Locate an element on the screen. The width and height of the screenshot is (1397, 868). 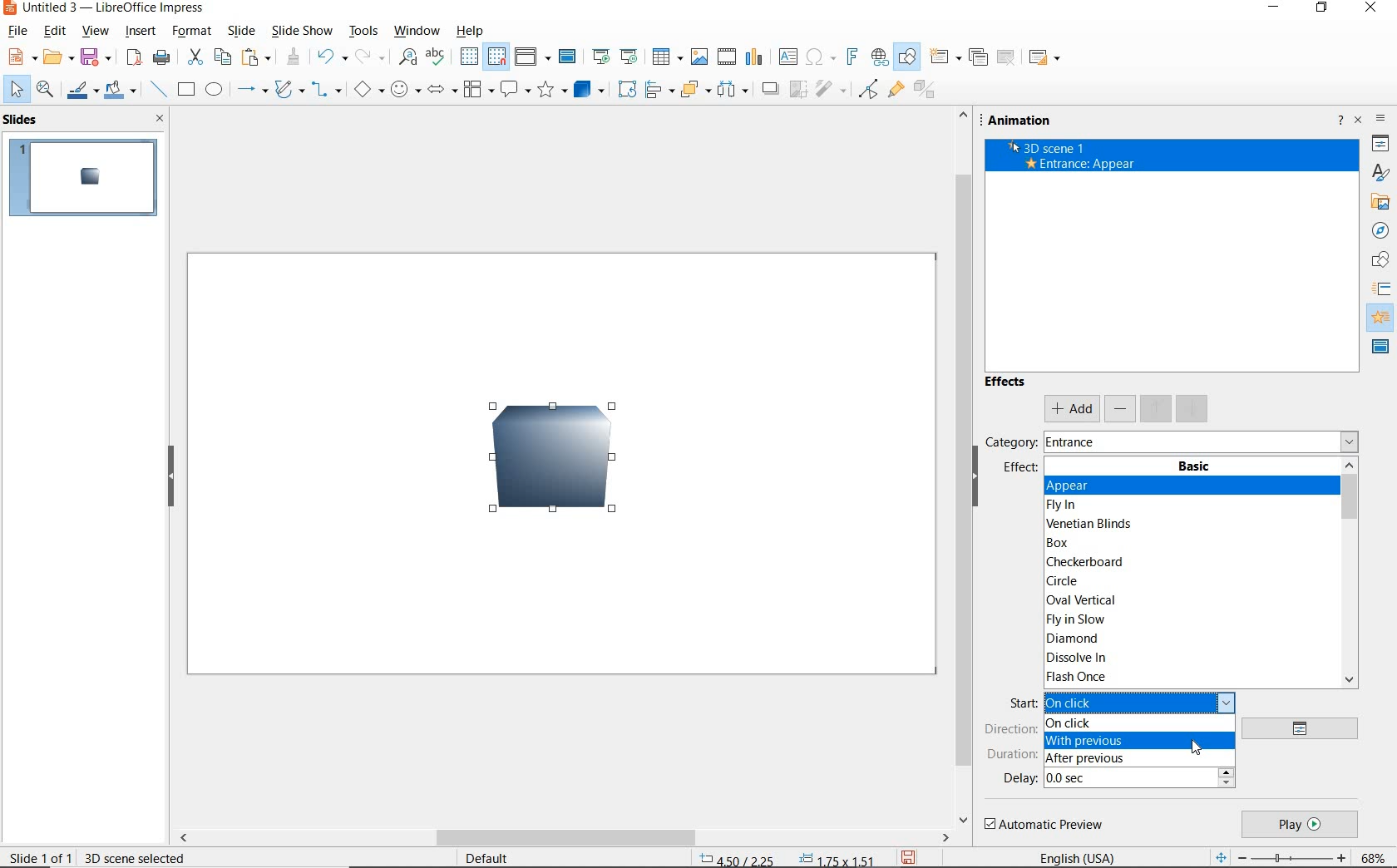
snap to grid is located at coordinates (498, 57).